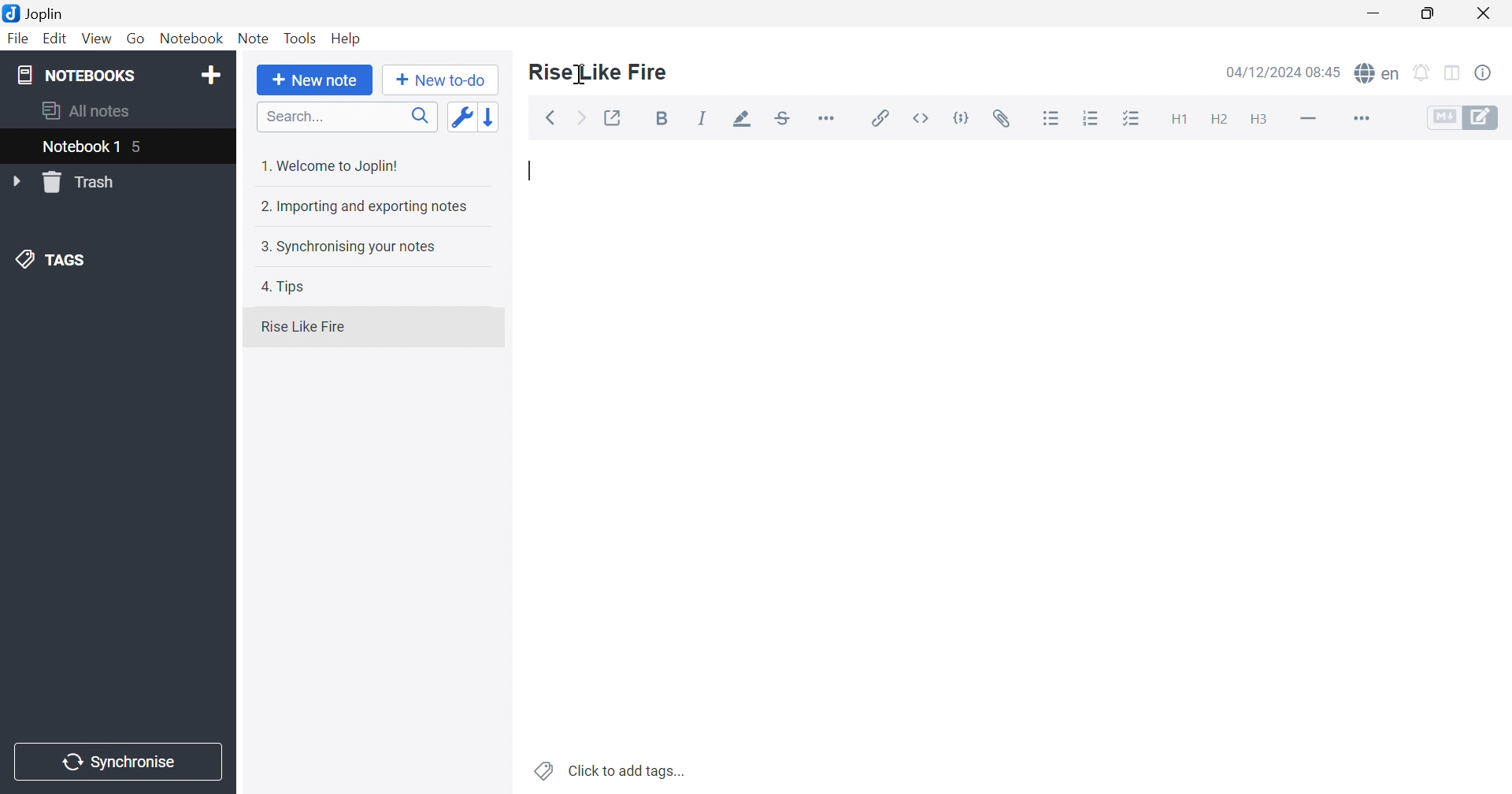  I want to click on Go, so click(138, 39).